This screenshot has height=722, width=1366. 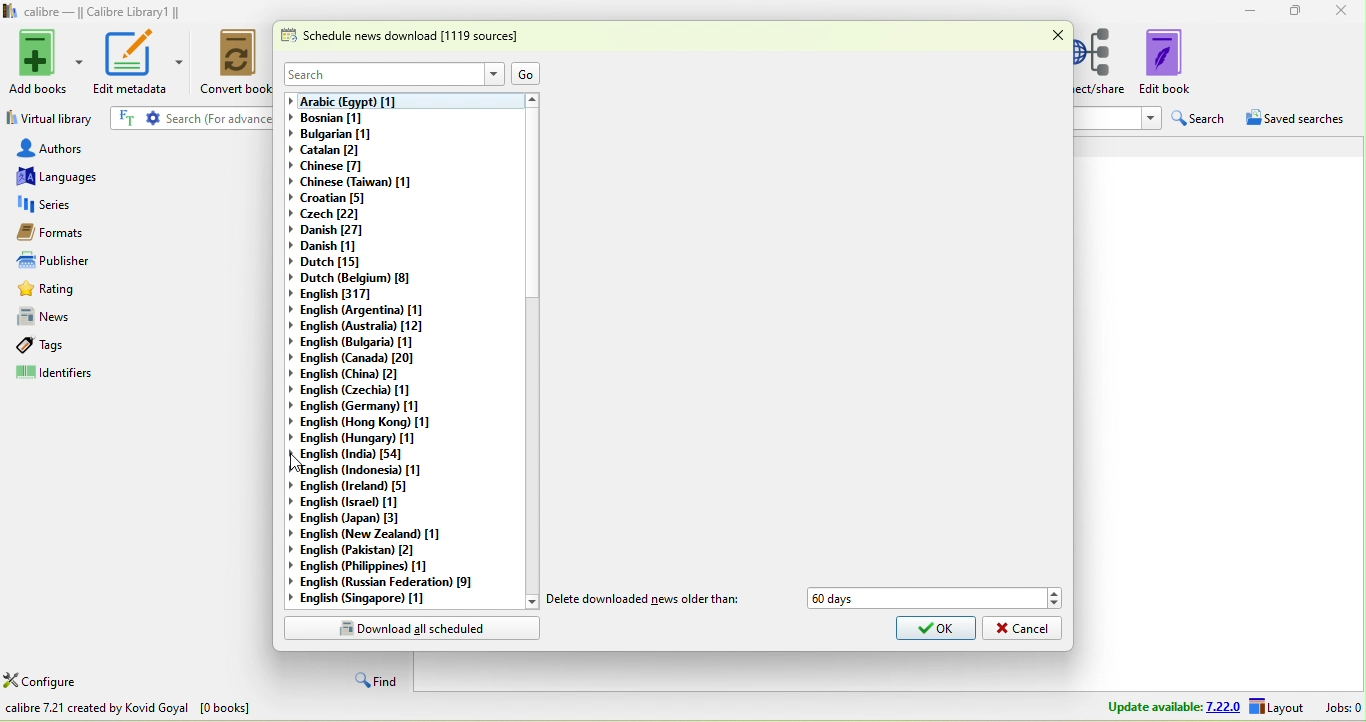 What do you see at coordinates (1346, 12) in the screenshot?
I see `close` at bounding box center [1346, 12].